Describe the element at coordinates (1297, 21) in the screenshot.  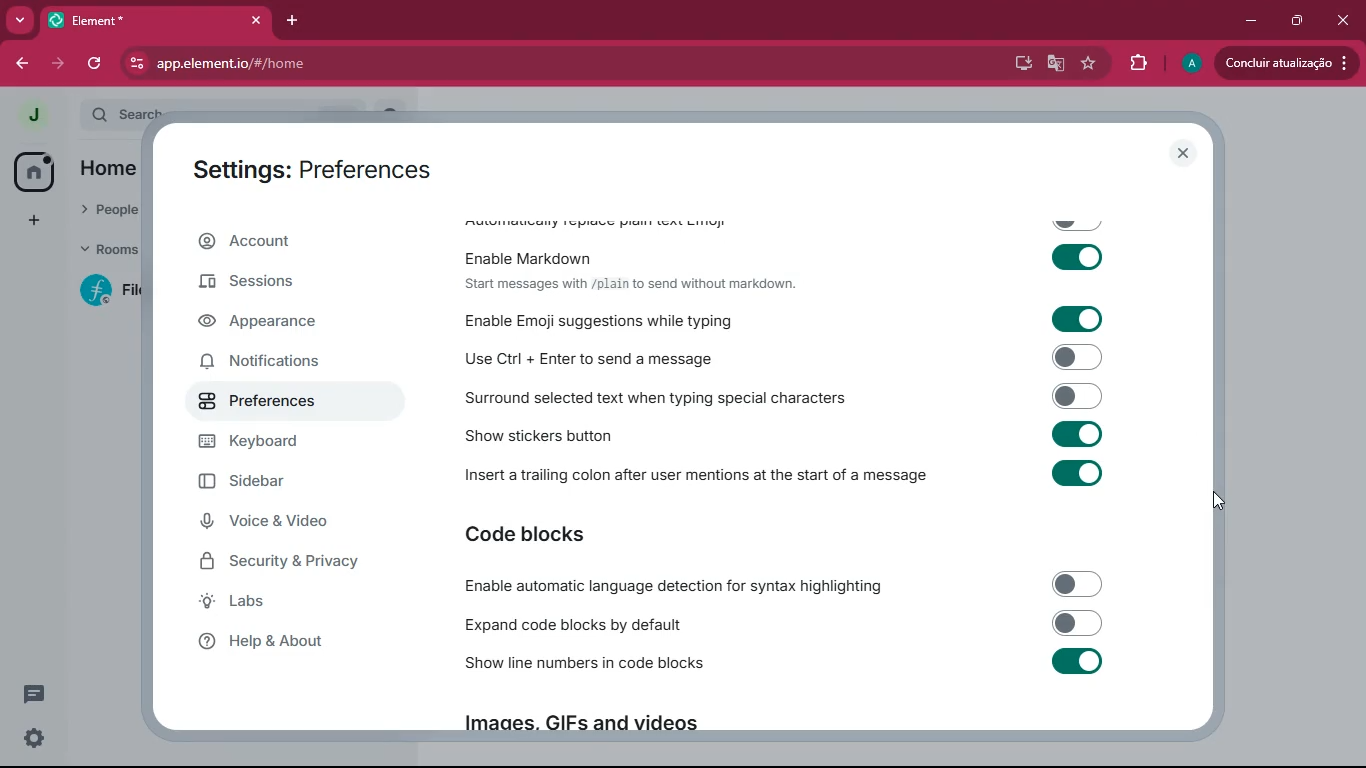
I see `maximize` at that location.